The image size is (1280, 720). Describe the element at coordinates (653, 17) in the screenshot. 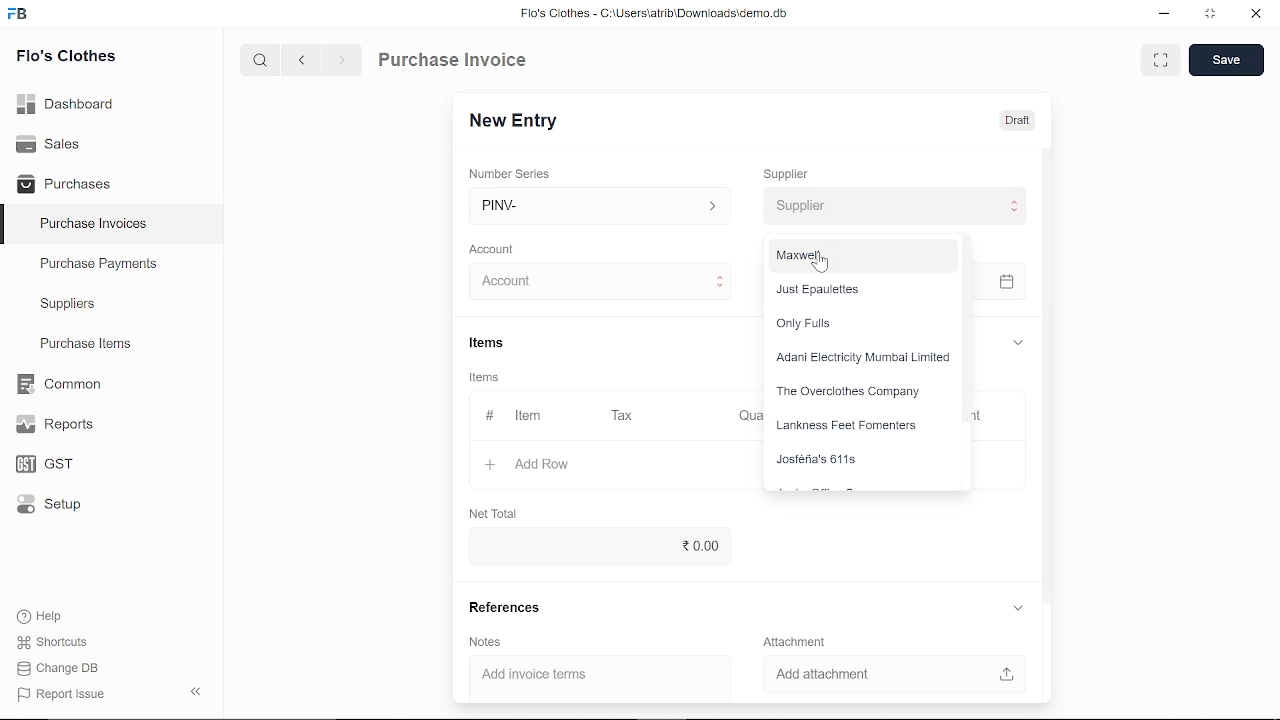

I see `Flo's Clothes - C:\Users\alrib\Downioads'cemo.db.` at that location.